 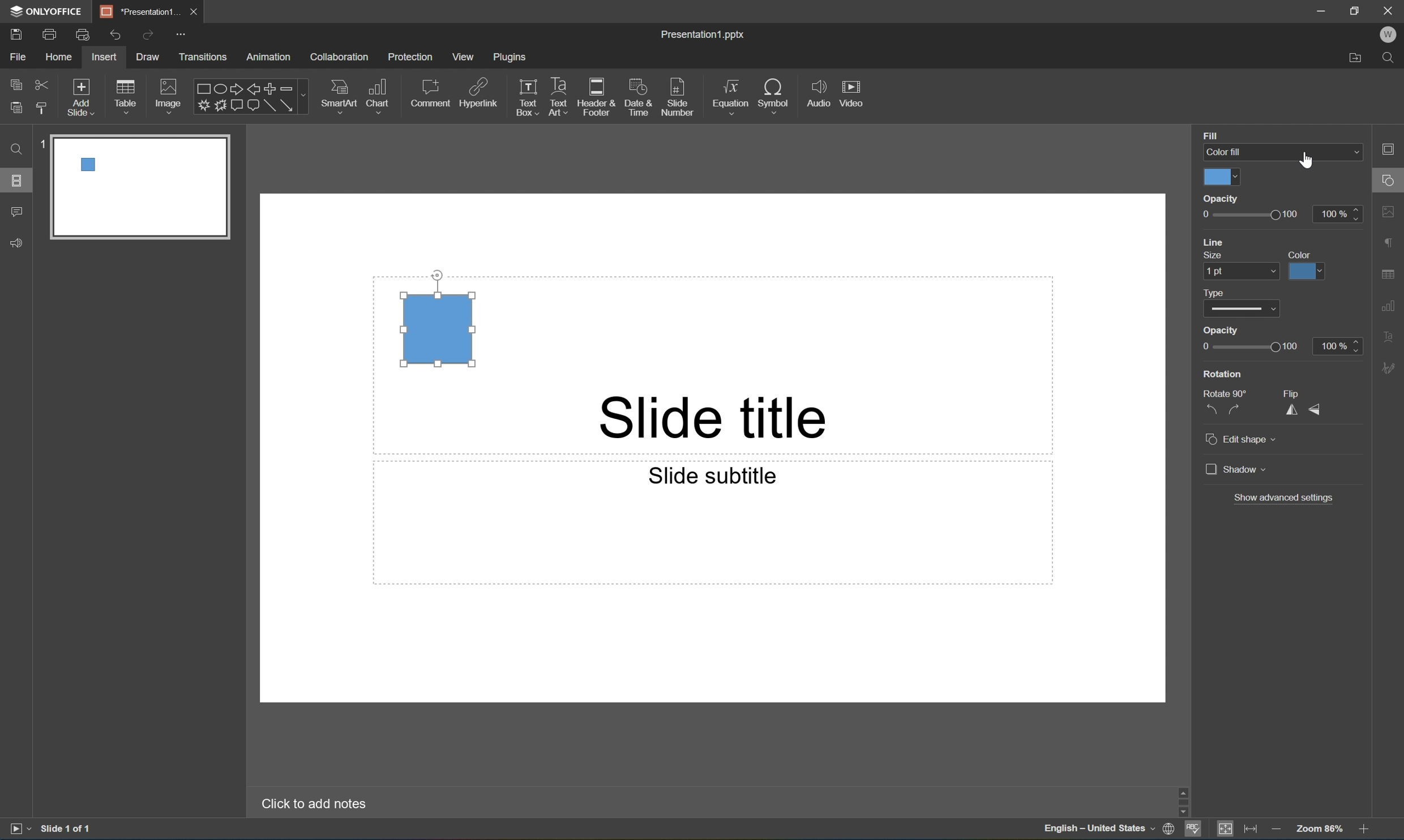 What do you see at coordinates (1364, 812) in the screenshot?
I see `Scroll Down` at bounding box center [1364, 812].